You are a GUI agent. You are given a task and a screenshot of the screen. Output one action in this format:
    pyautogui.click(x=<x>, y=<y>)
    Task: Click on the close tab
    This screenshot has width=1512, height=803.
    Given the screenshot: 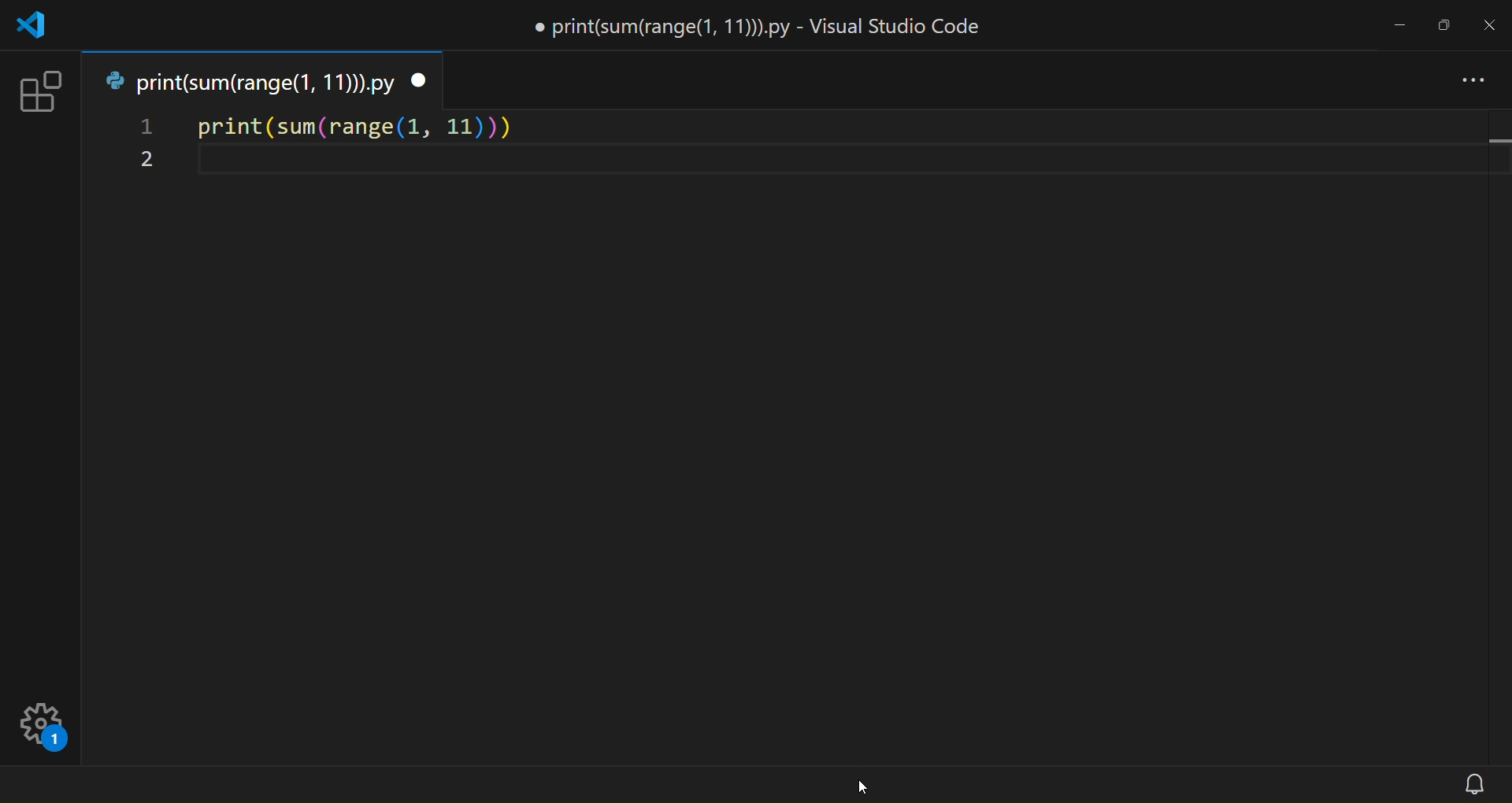 What is the action you would take?
    pyautogui.click(x=420, y=81)
    